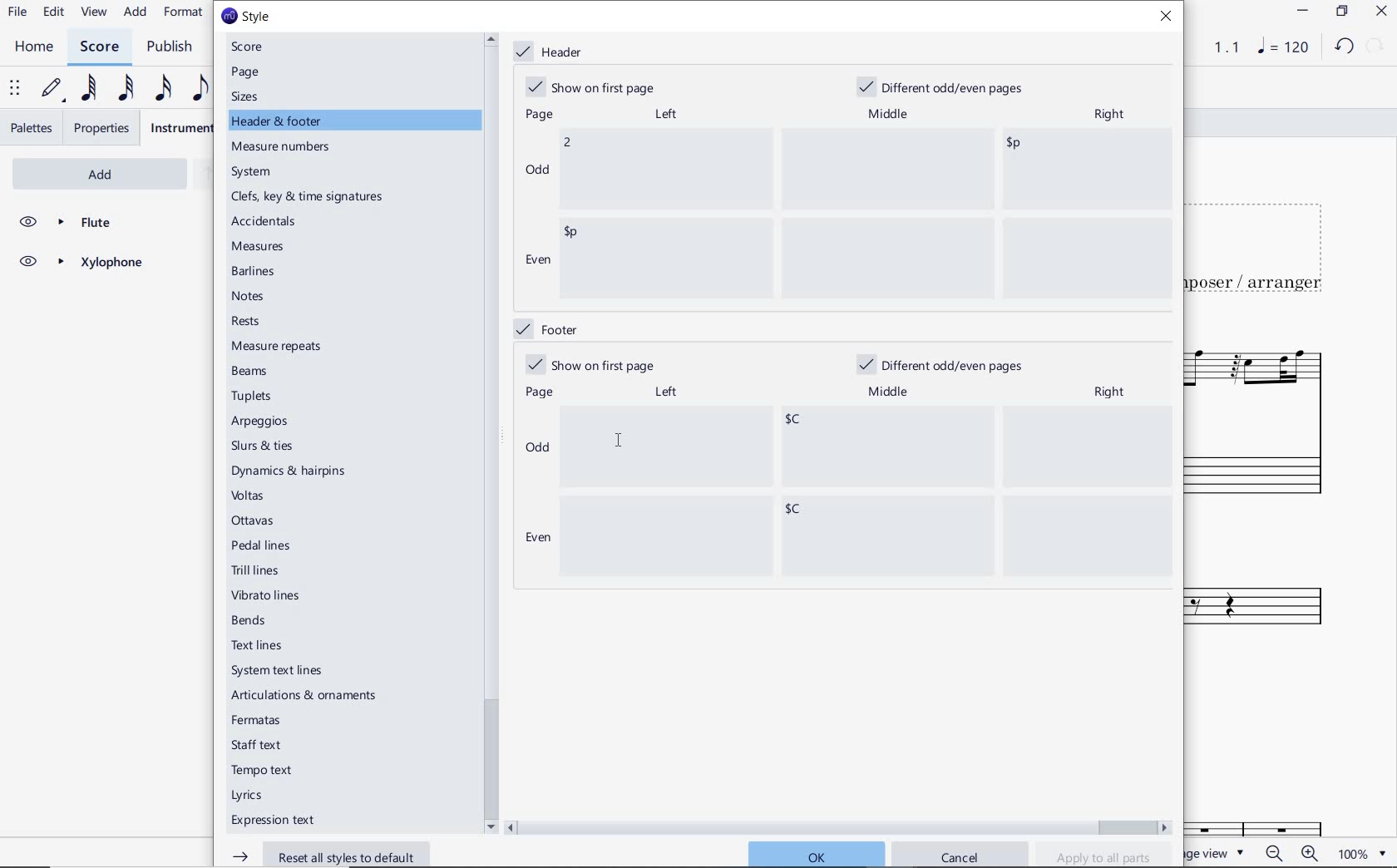  What do you see at coordinates (1380, 11) in the screenshot?
I see `CLOSE` at bounding box center [1380, 11].